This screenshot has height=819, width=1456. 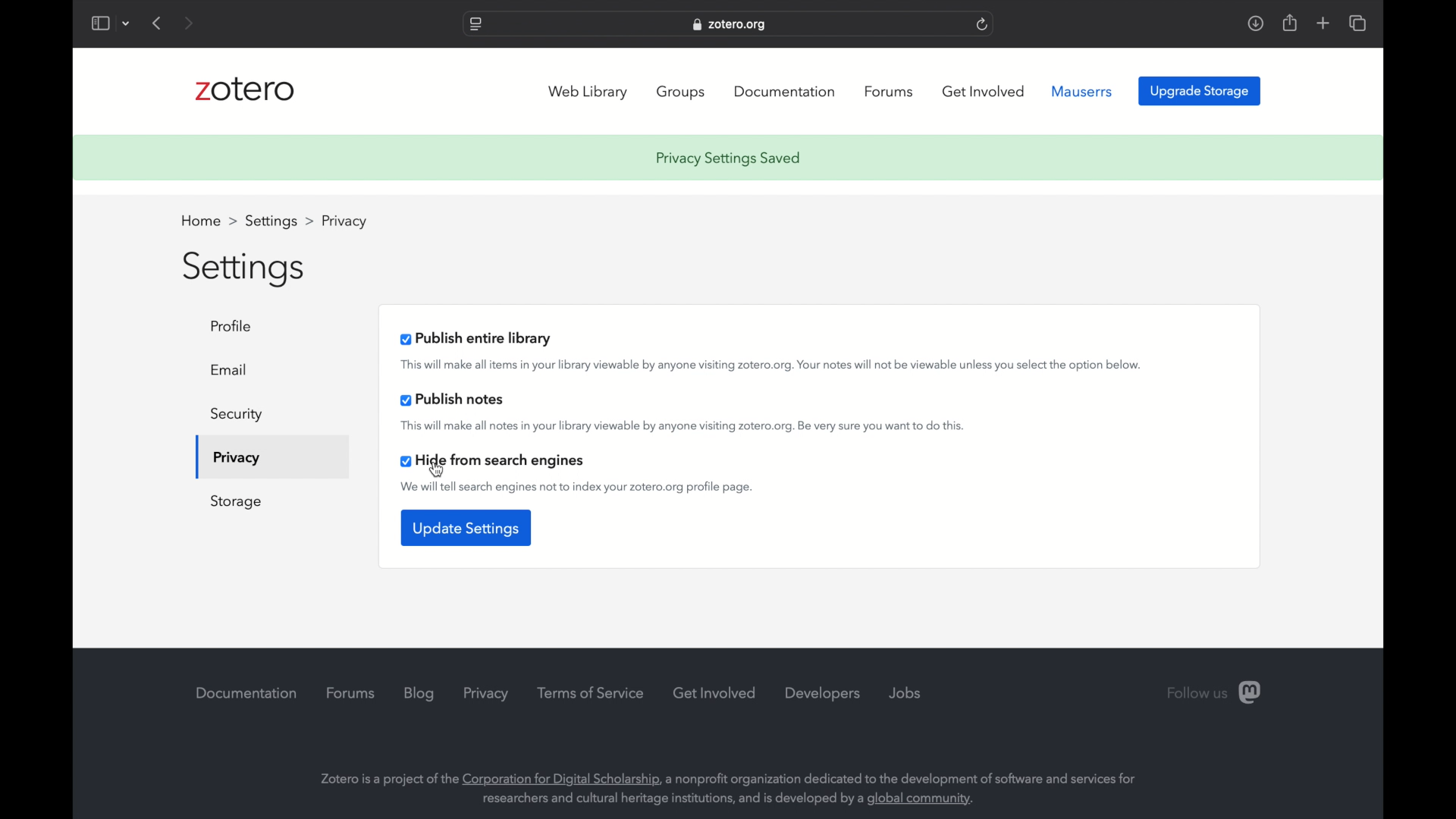 I want to click on refresh, so click(x=982, y=25).